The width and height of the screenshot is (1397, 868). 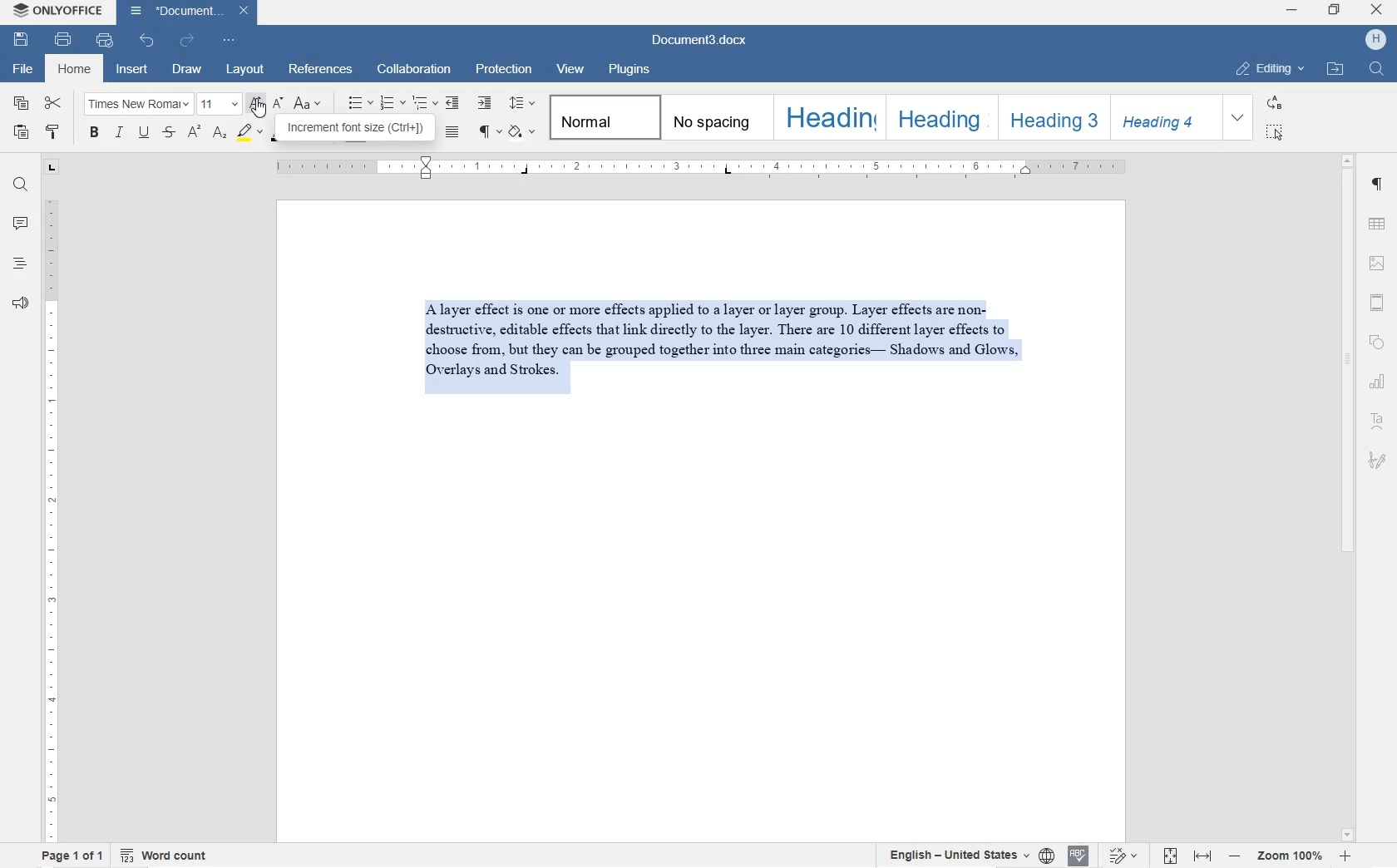 I want to click on Document3.docx, so click(x=696, y=42).